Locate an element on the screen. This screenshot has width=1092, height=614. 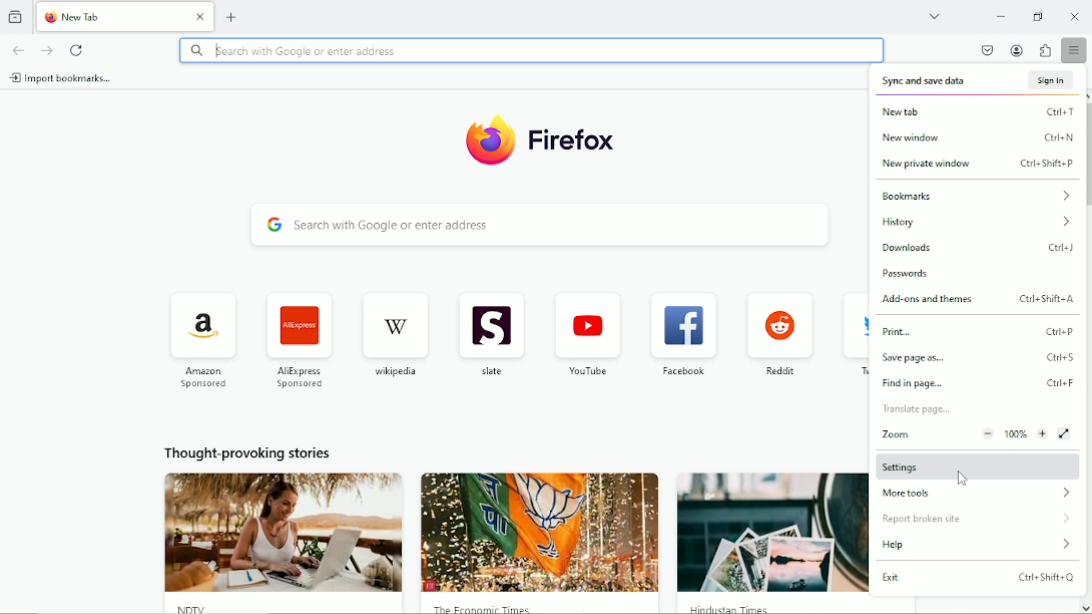
go forward is located at coordinates (47, 51).